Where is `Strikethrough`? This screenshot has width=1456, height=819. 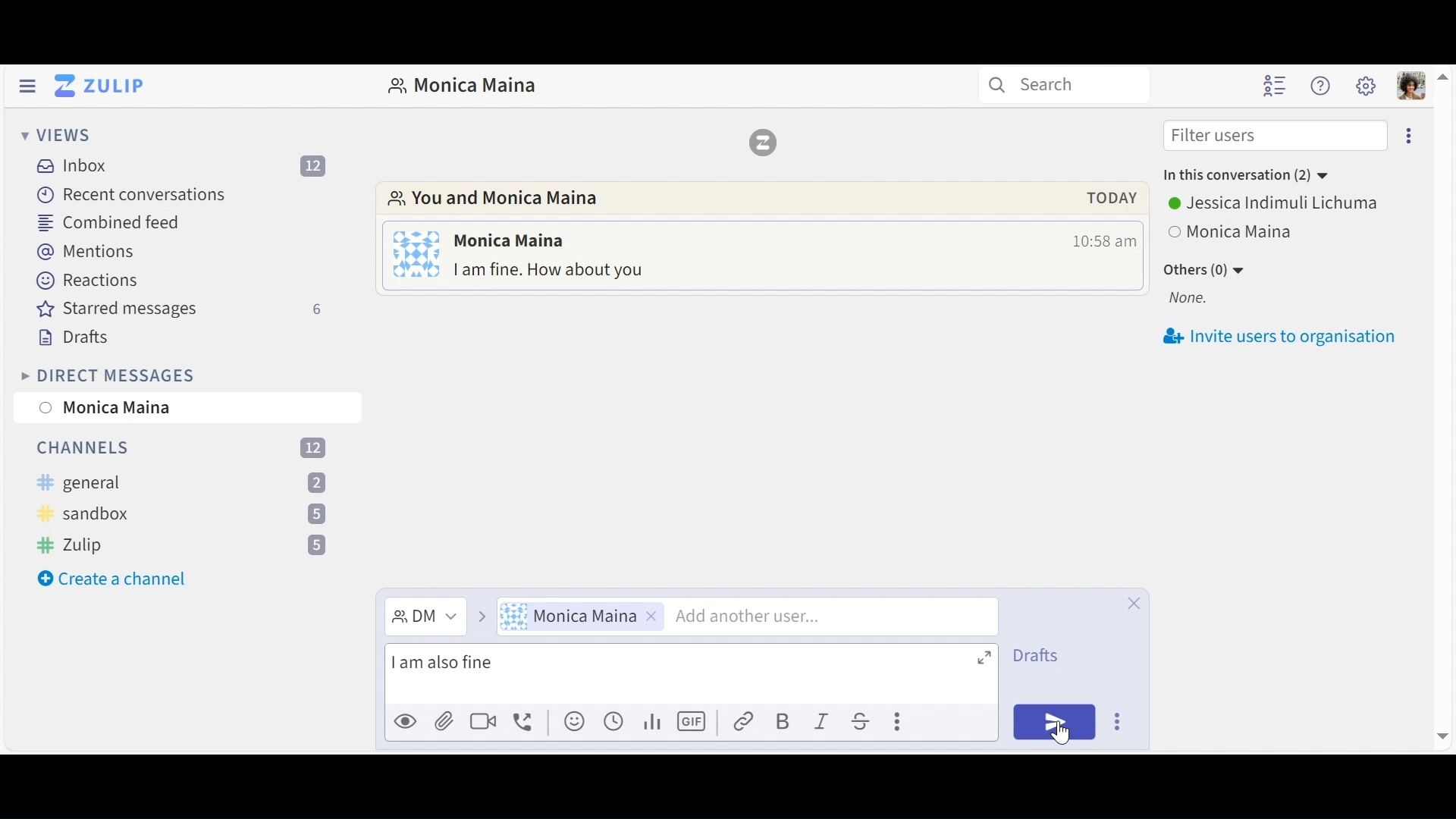
Strikethrough is located at coordinates (861, 720).